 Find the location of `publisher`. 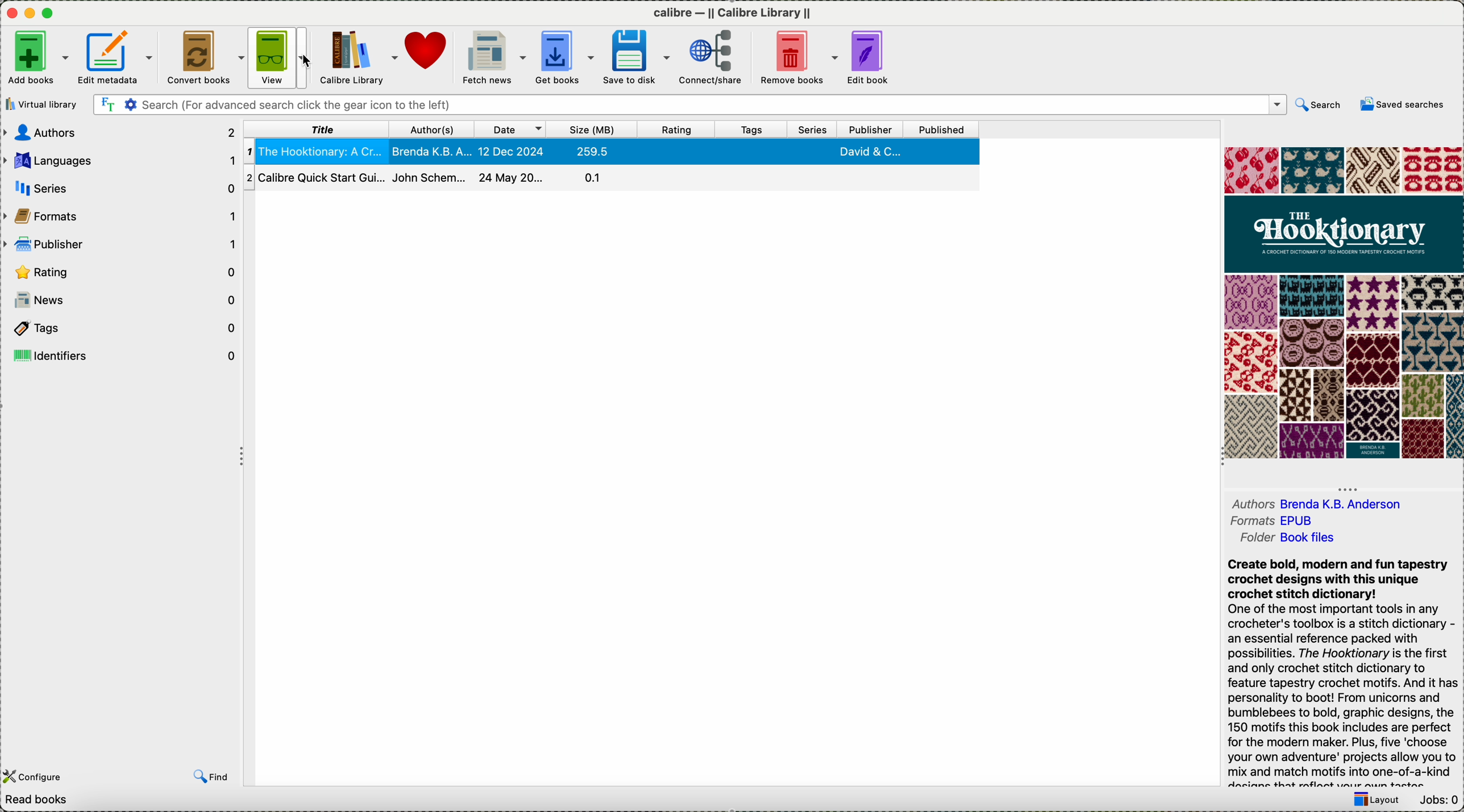

publisher is located at coordinates (869, 128).